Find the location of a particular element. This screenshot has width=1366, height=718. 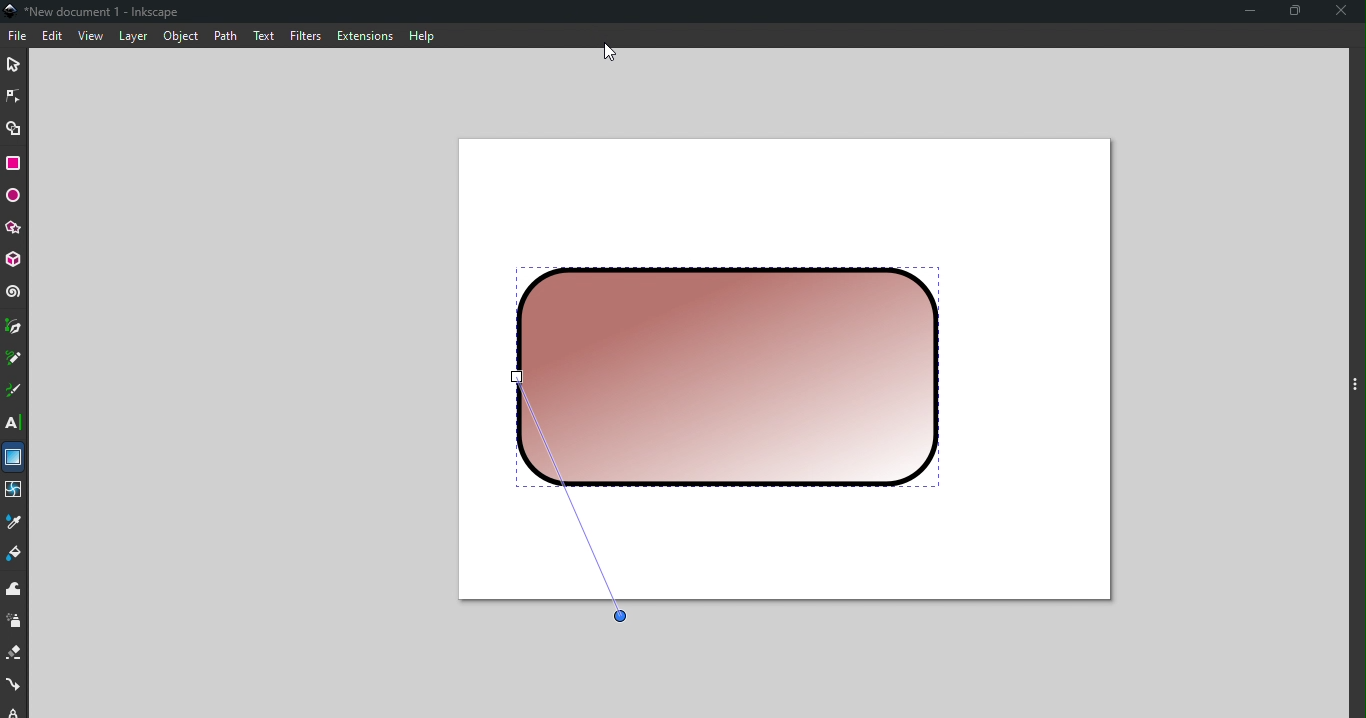

Edit is located at coordinates (54, 37).